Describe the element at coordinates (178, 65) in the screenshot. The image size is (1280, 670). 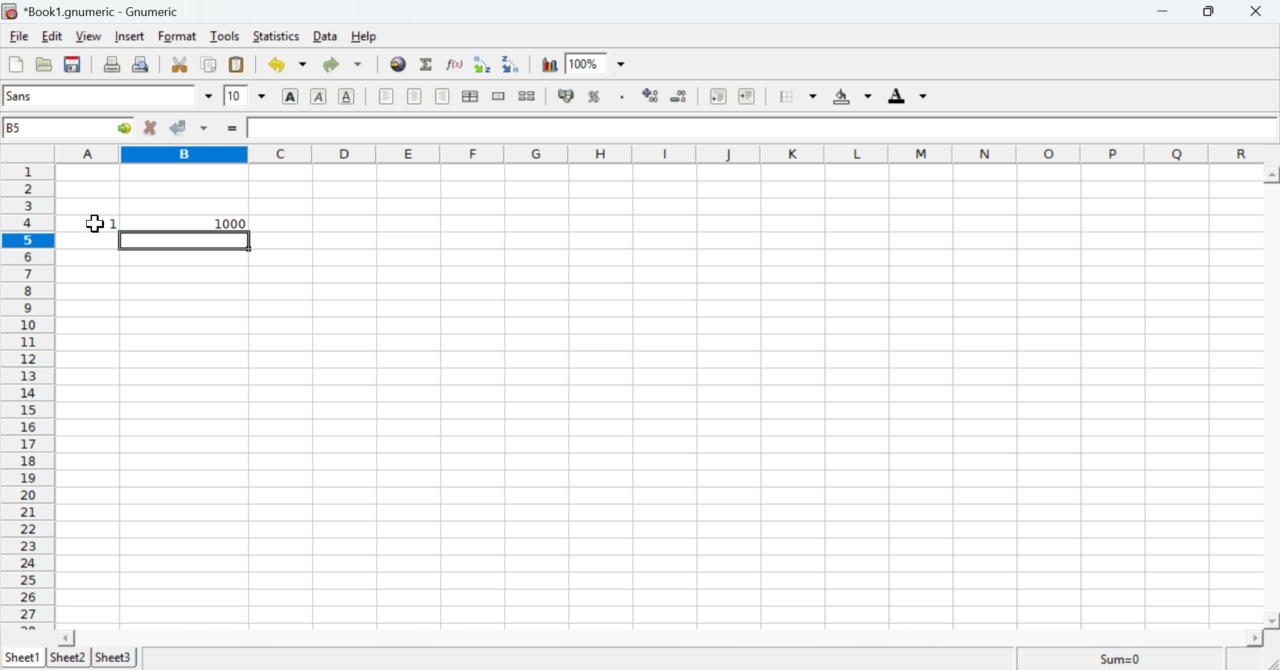
I see `Cut selection` at that location.